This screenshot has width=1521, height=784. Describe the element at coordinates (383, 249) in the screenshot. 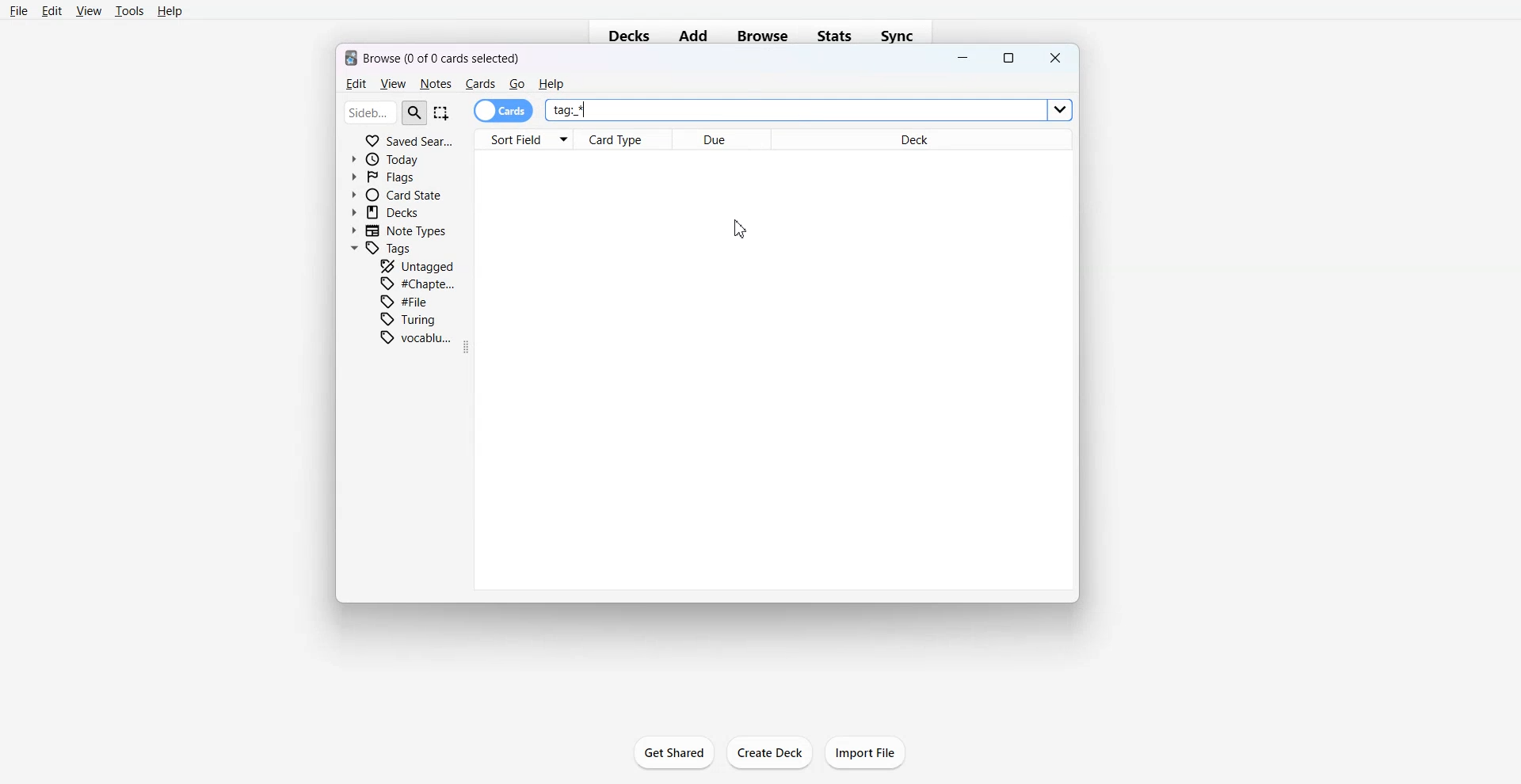

I see `Tags` at that location.